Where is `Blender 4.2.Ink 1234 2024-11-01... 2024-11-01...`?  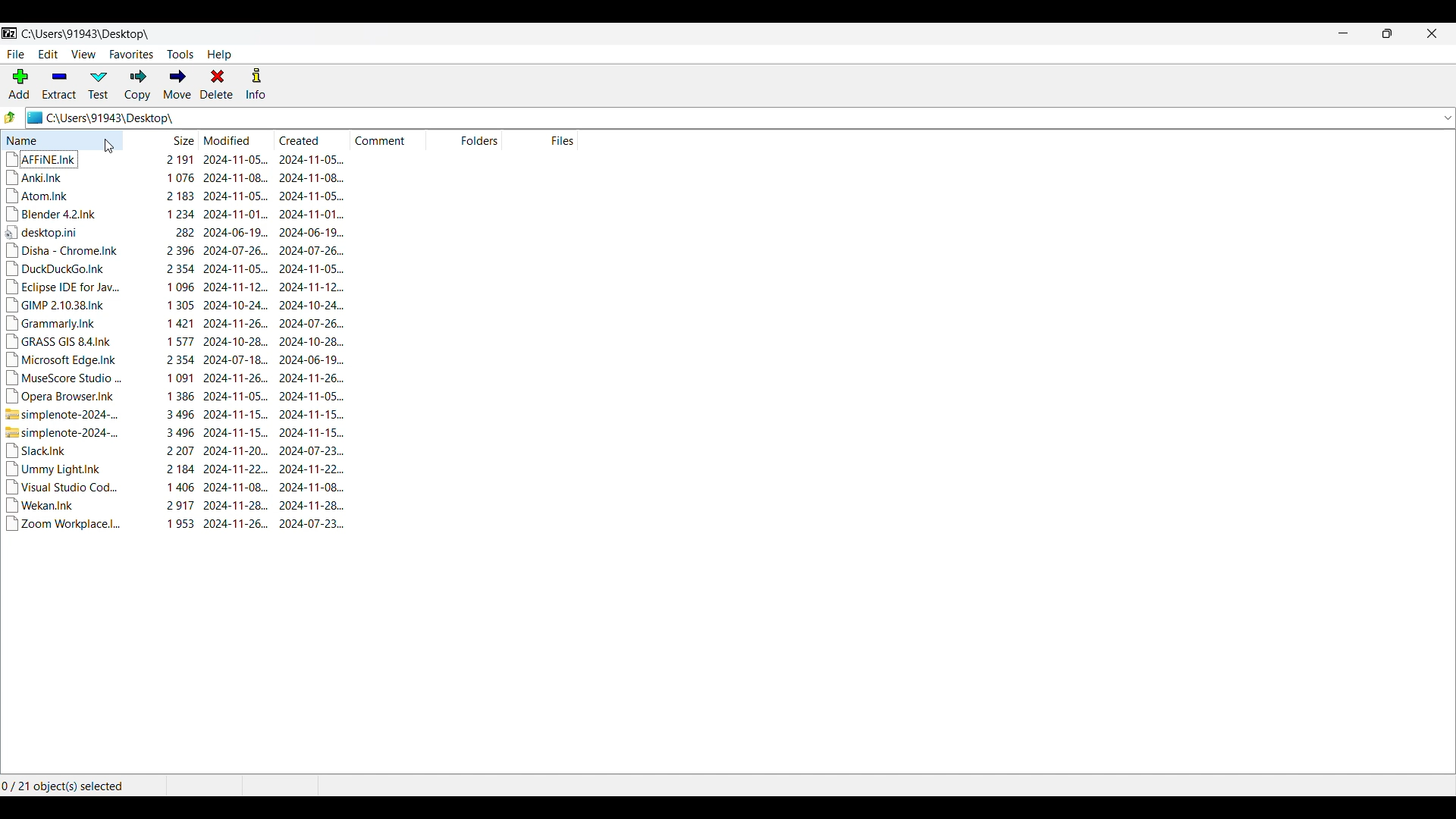
Blender 4.2.Ink 1234 2024-11-01... 2024-11-01... is located at coordinates (176, 214).